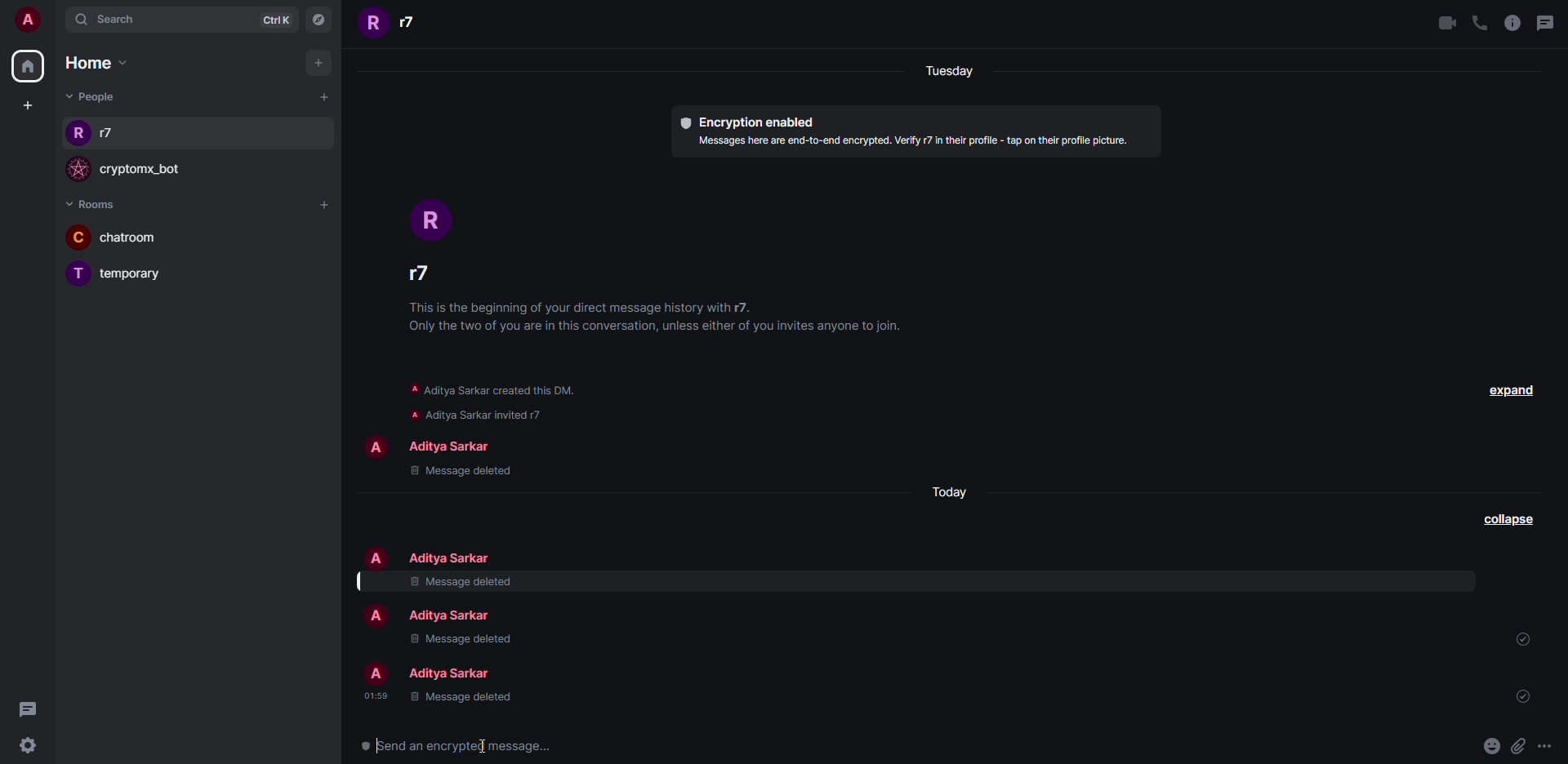 This screenshot has height=764, width=1568. Describe the element at coordinates (91, 97) in the screenshot. I see `people` at that location.